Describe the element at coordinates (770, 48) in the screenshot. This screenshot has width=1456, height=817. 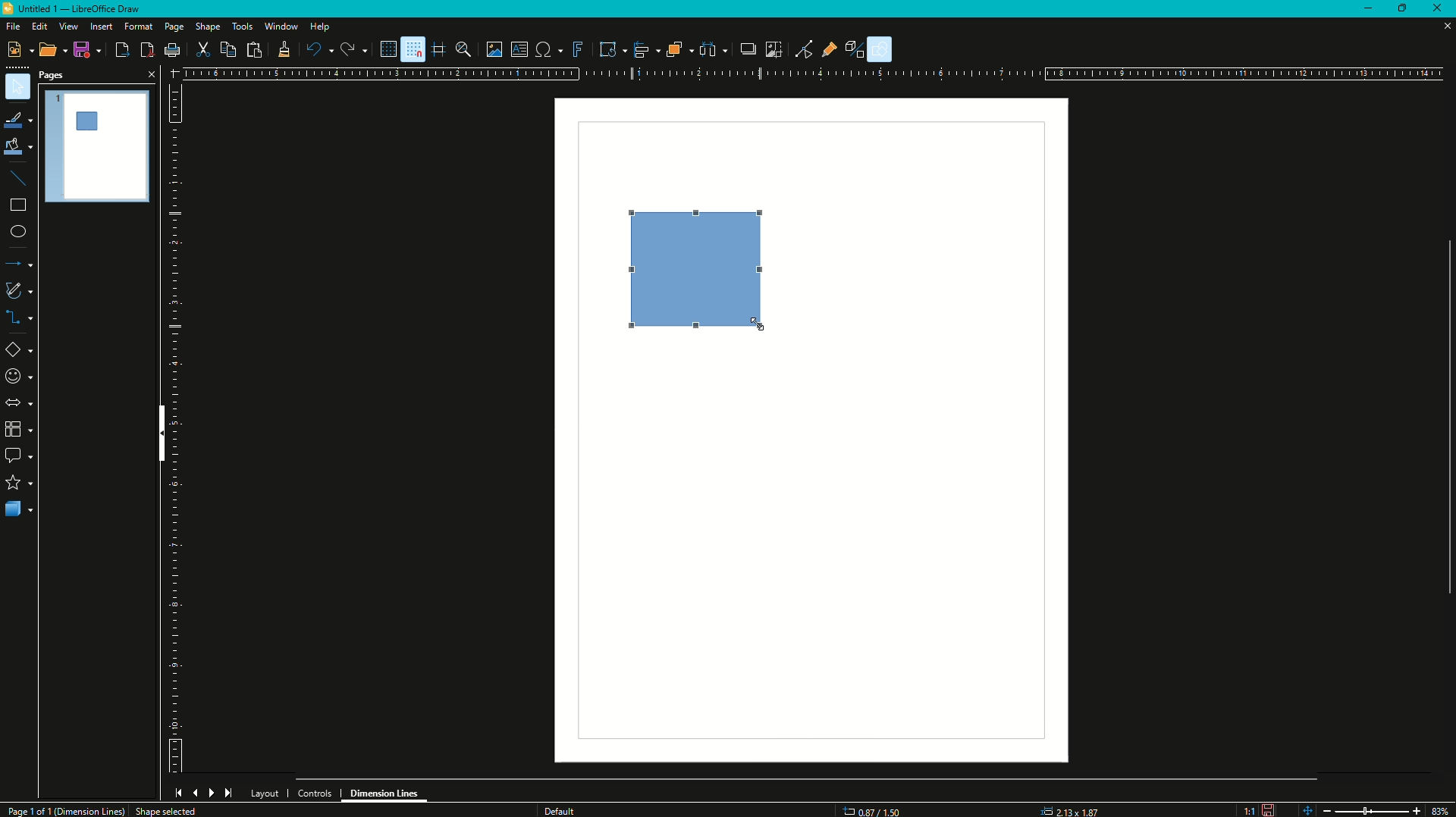
I see `Crop Image` at that location.